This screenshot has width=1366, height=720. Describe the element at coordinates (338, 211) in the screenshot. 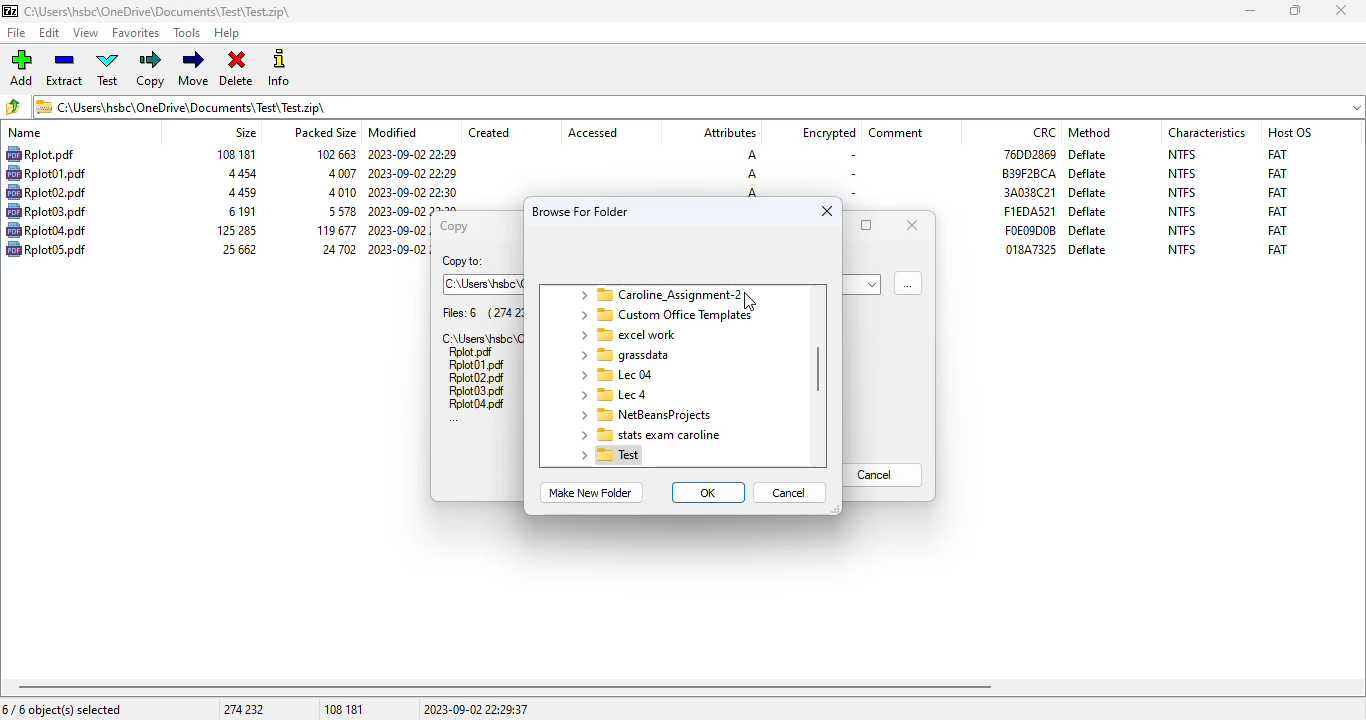

I see `packed size` at that location.